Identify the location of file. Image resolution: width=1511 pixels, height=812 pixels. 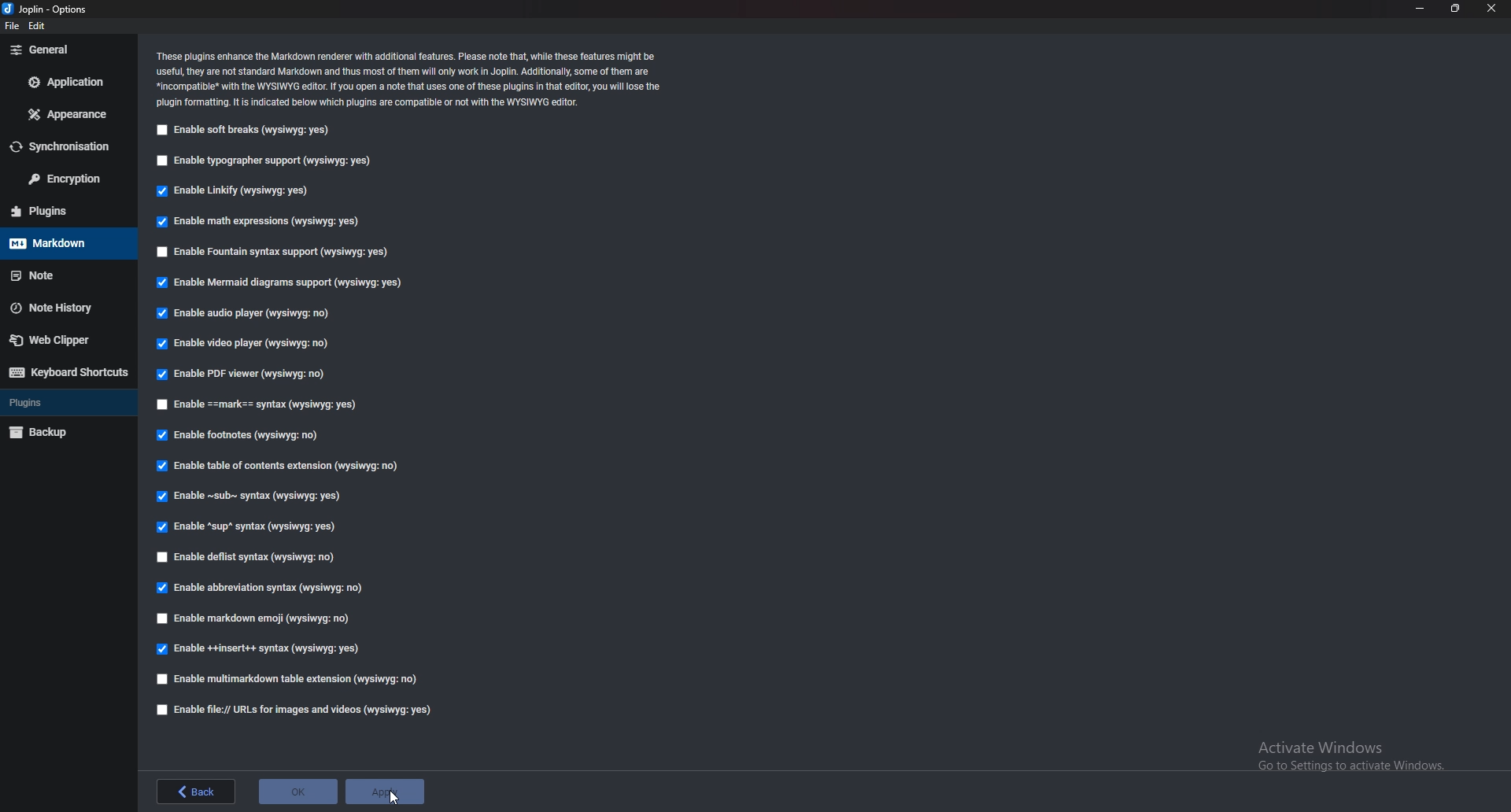
(10, 27).